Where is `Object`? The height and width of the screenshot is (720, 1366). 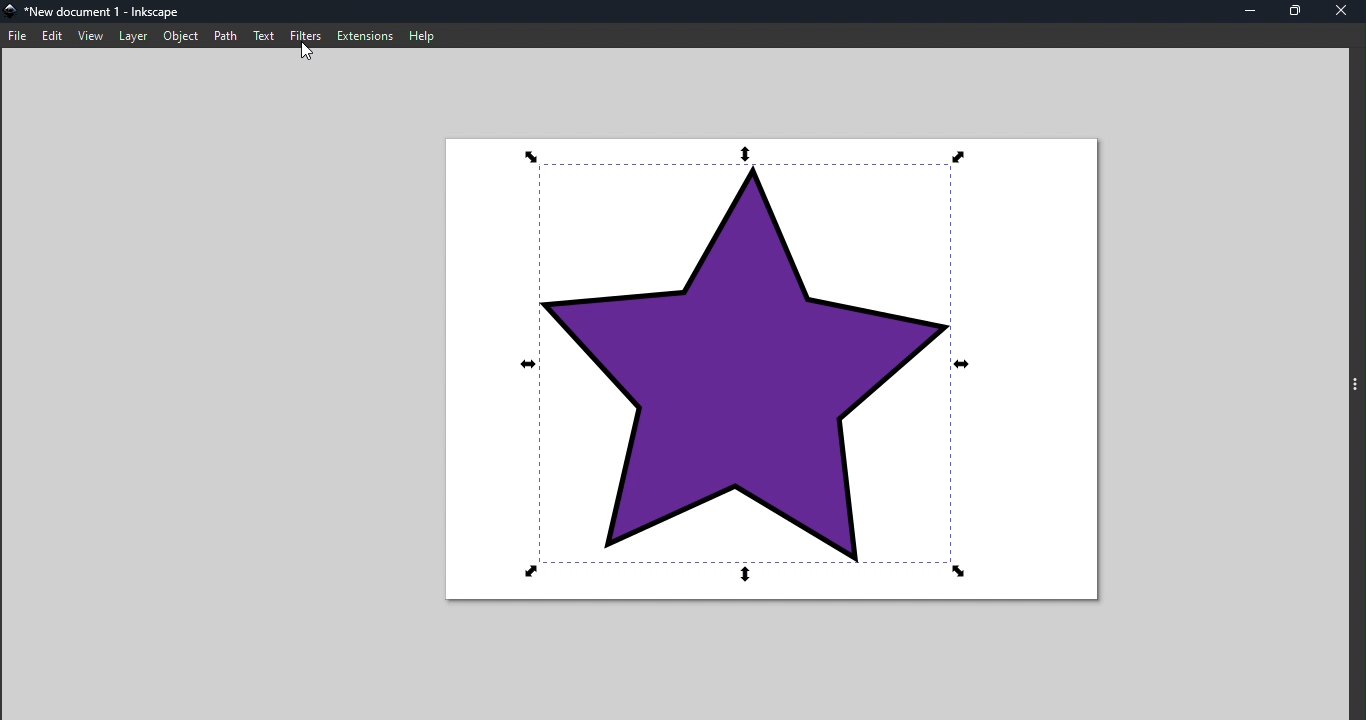 Object is located at coordinates (179, 35).